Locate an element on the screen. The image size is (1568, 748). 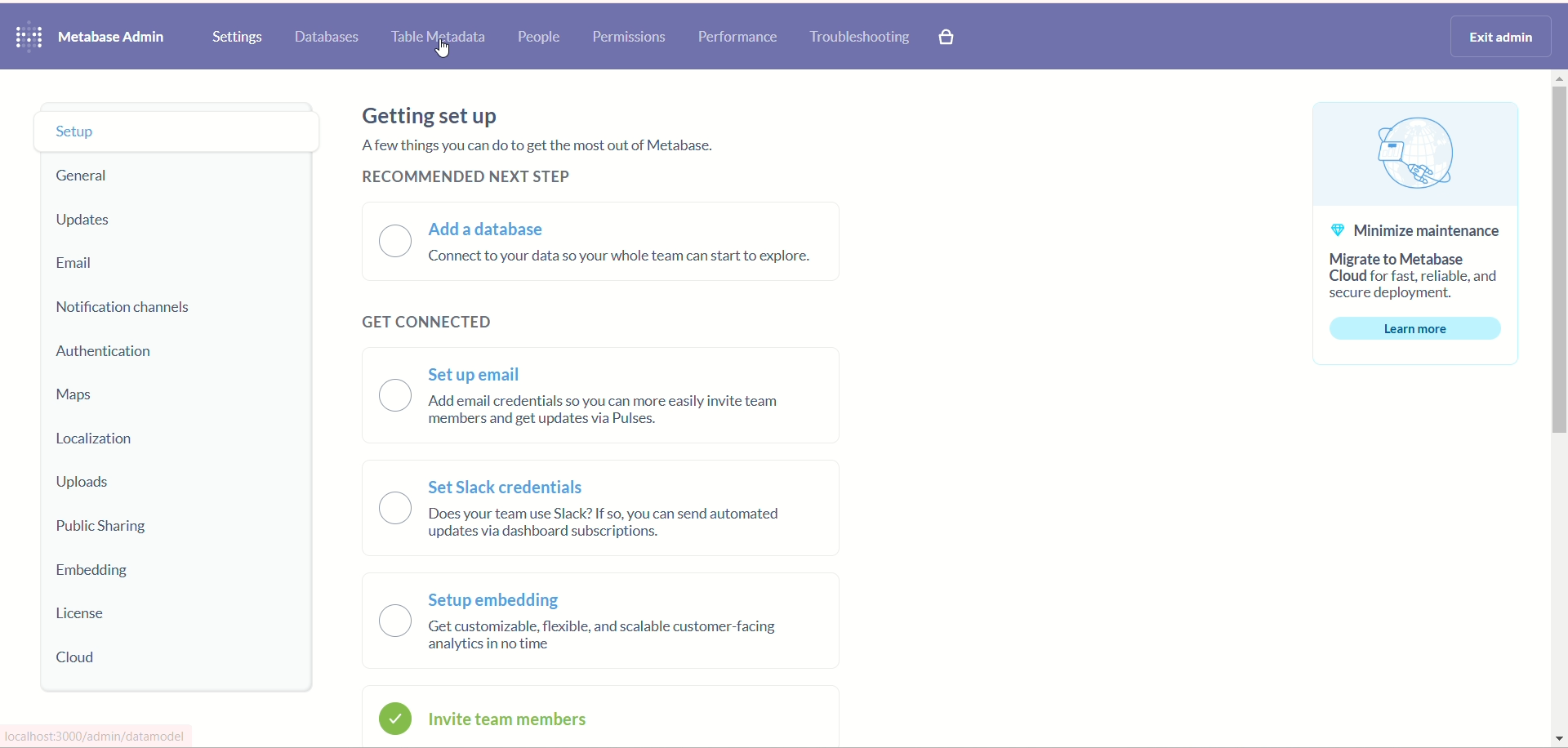
troubleshooting is located at coordinates (863, 38).